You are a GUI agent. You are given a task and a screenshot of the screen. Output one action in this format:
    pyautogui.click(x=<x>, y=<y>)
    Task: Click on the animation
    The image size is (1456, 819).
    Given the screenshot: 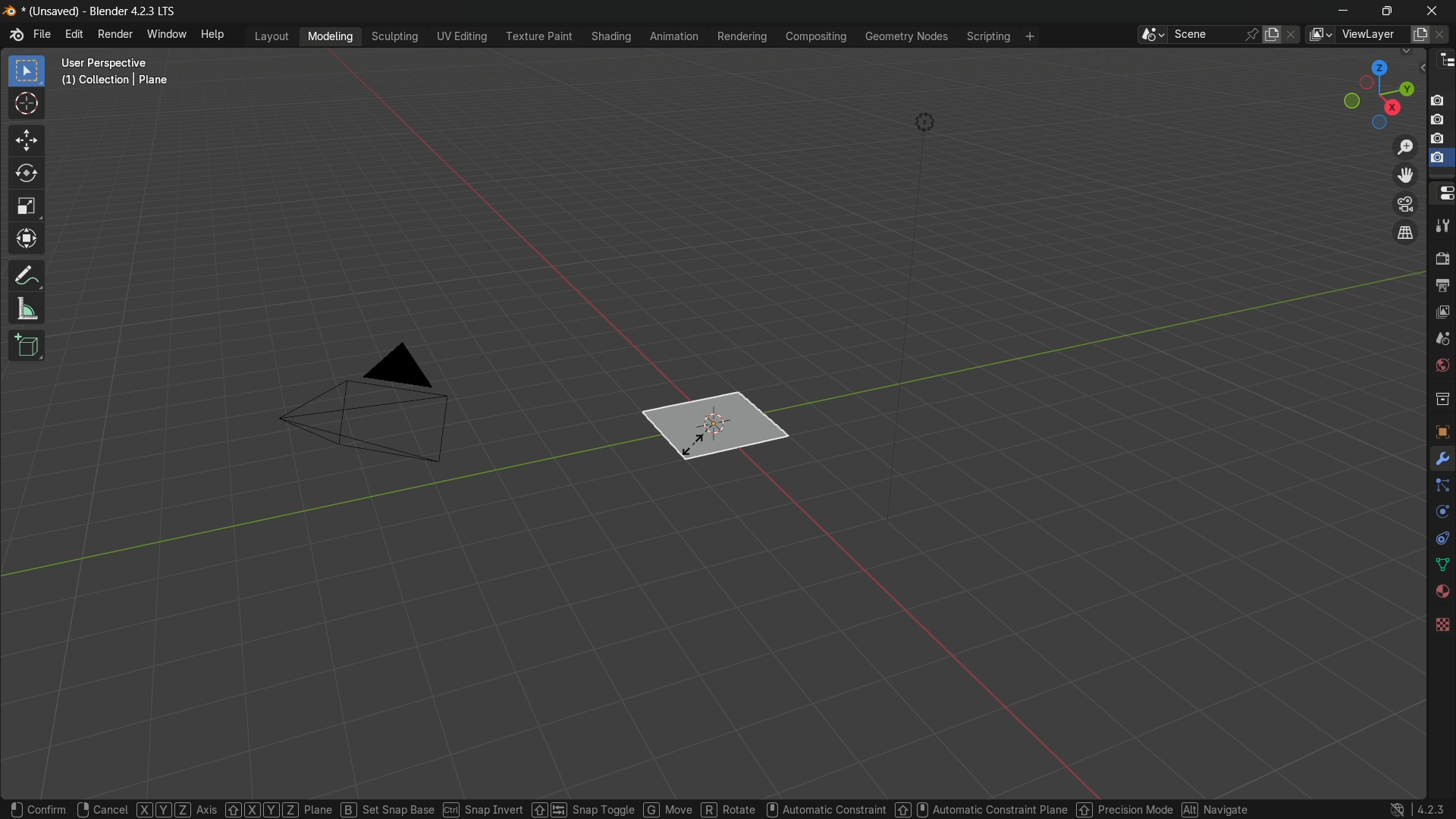 What is the action you would take?
    pyautogui.click(x=676, y=36)
    